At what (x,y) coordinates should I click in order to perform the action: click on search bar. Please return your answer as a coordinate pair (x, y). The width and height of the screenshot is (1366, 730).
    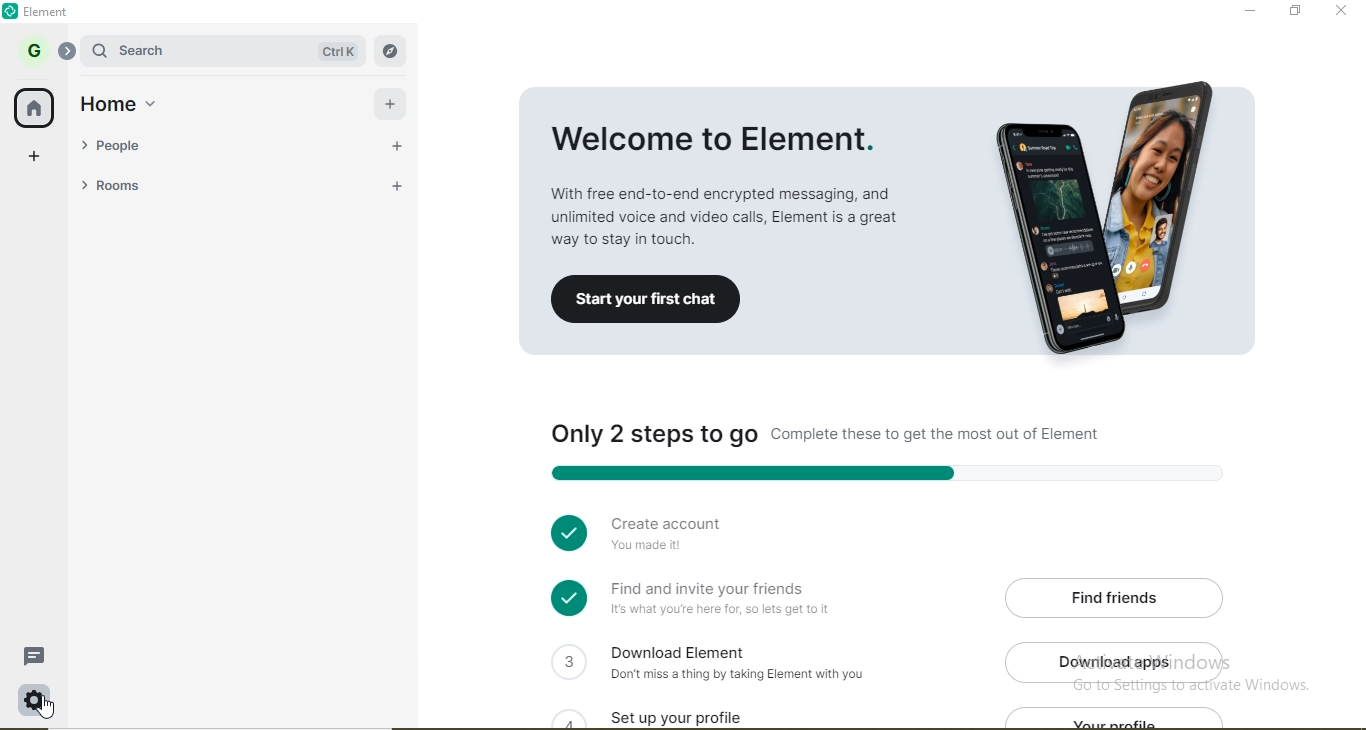
    Looking at the image, I should click on (172, 50).